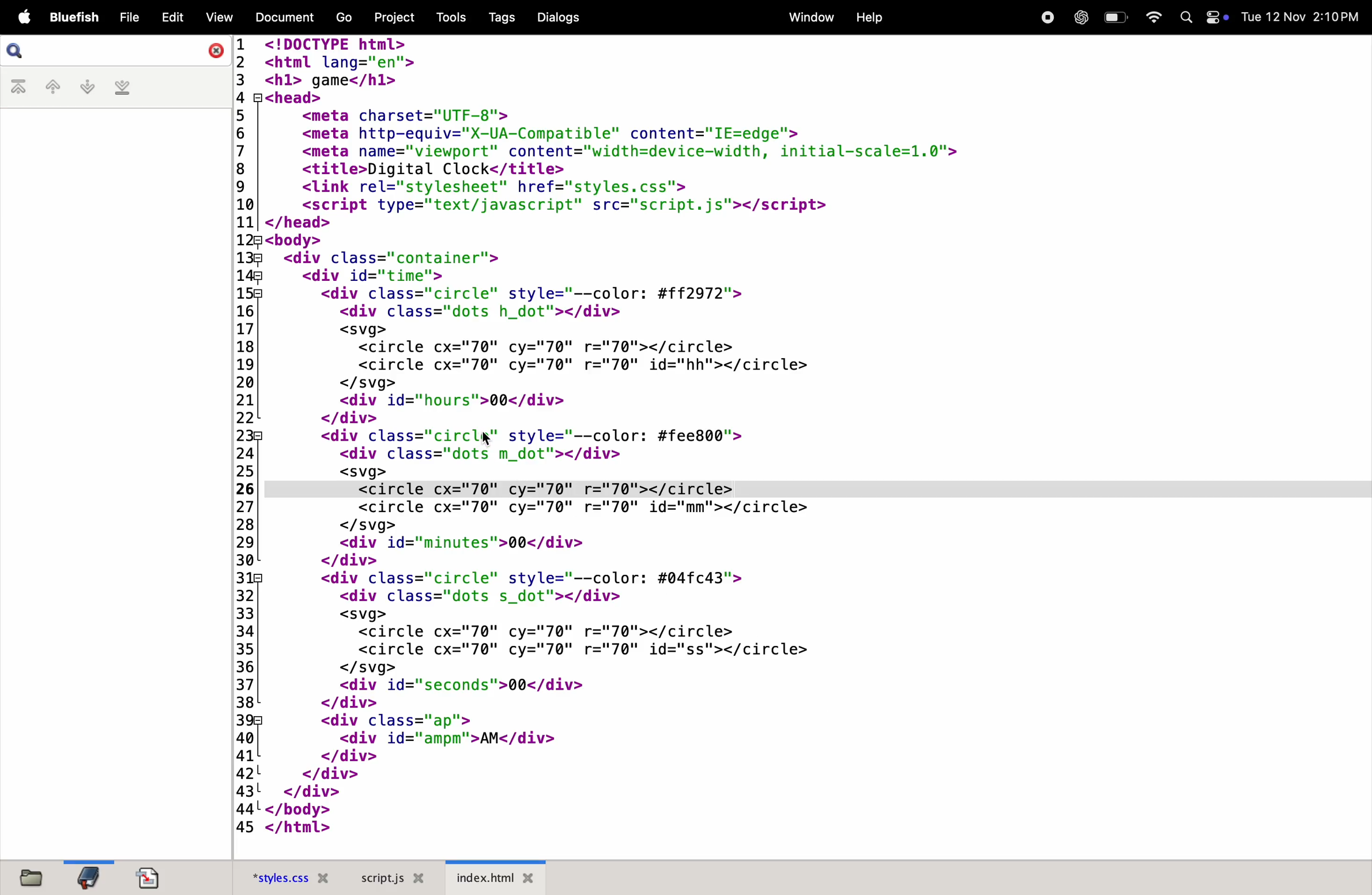  I want to click on wifi, so click(1155, 18).